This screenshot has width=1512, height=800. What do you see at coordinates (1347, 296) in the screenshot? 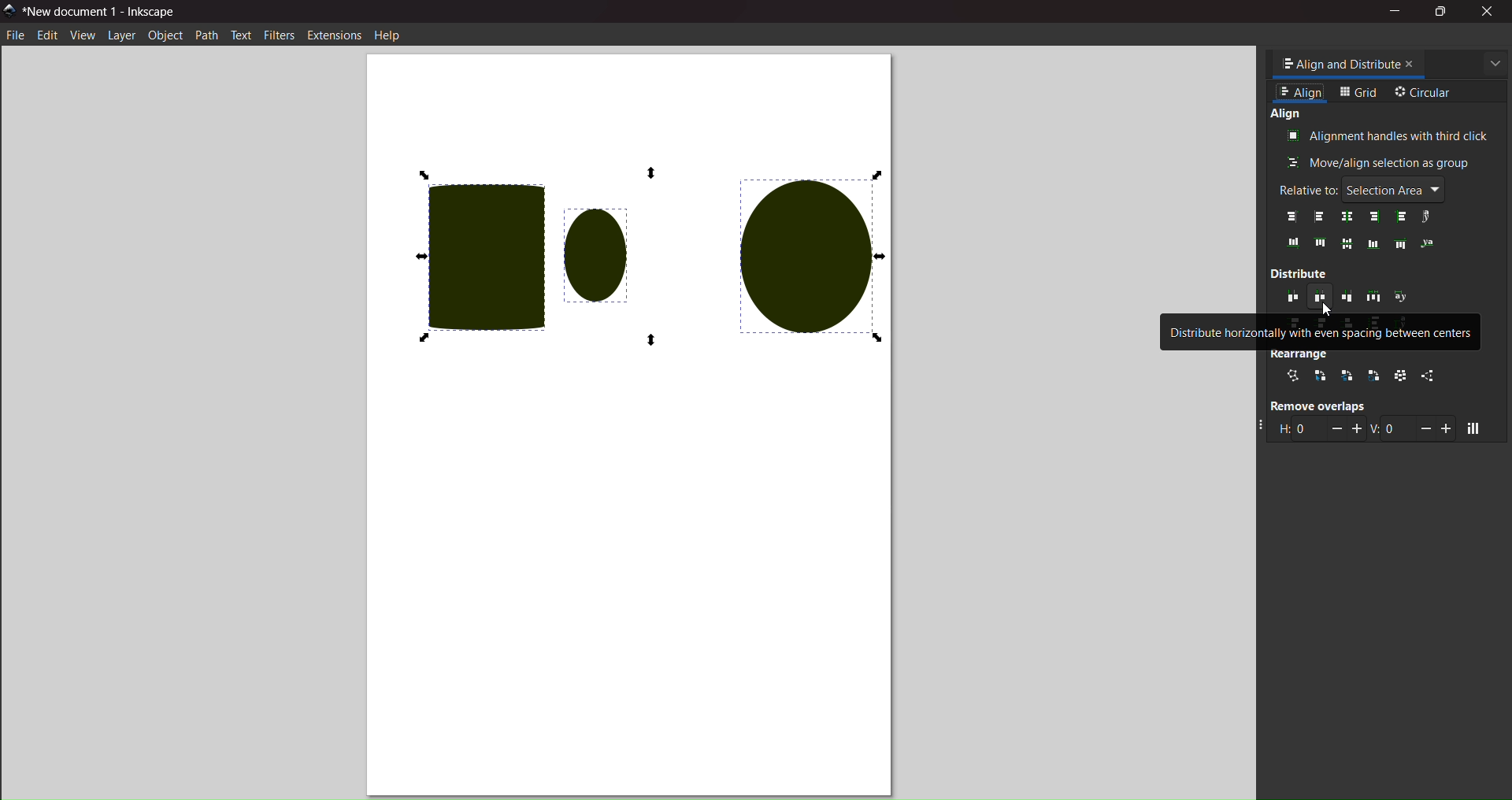
I see `distribute horizontally with even spacing between right edges` at bounding box center [1347, 296].